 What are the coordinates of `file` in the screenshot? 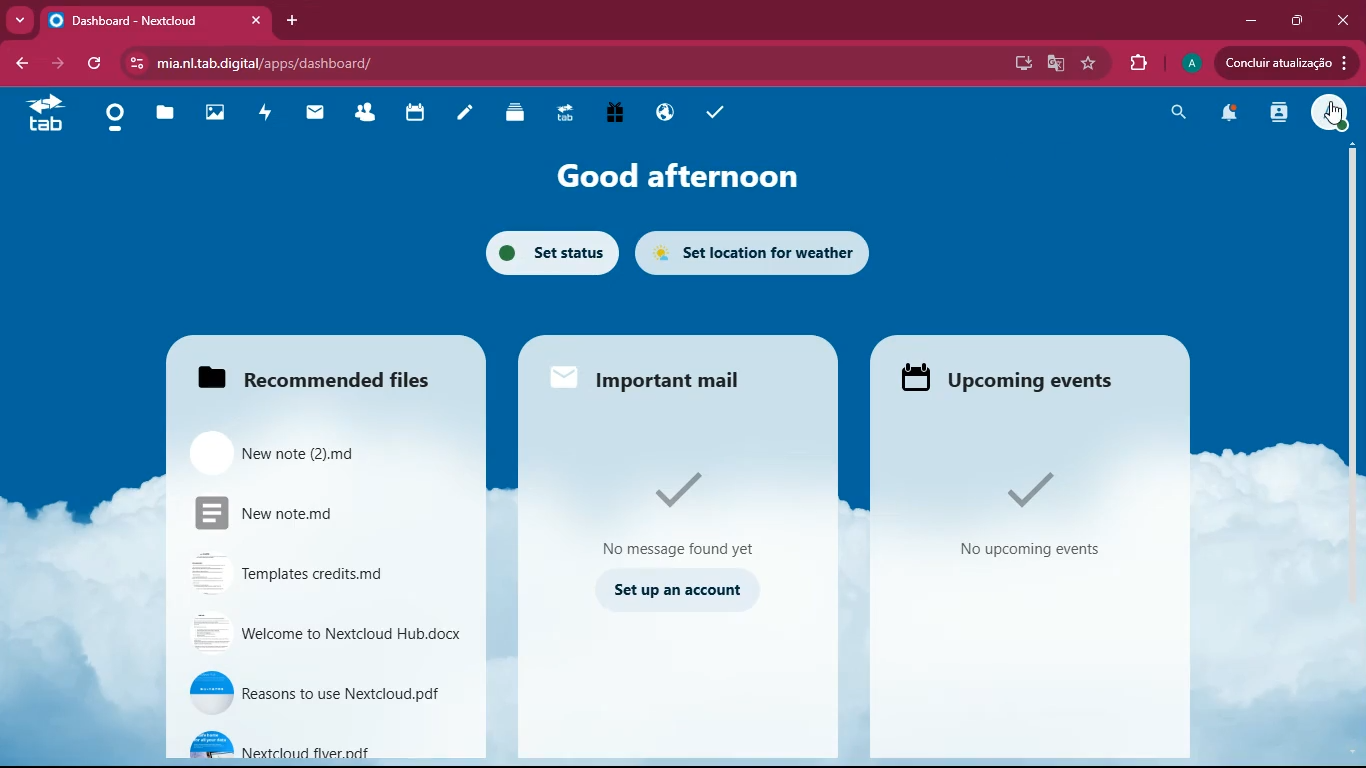 It's located at (322, 745).